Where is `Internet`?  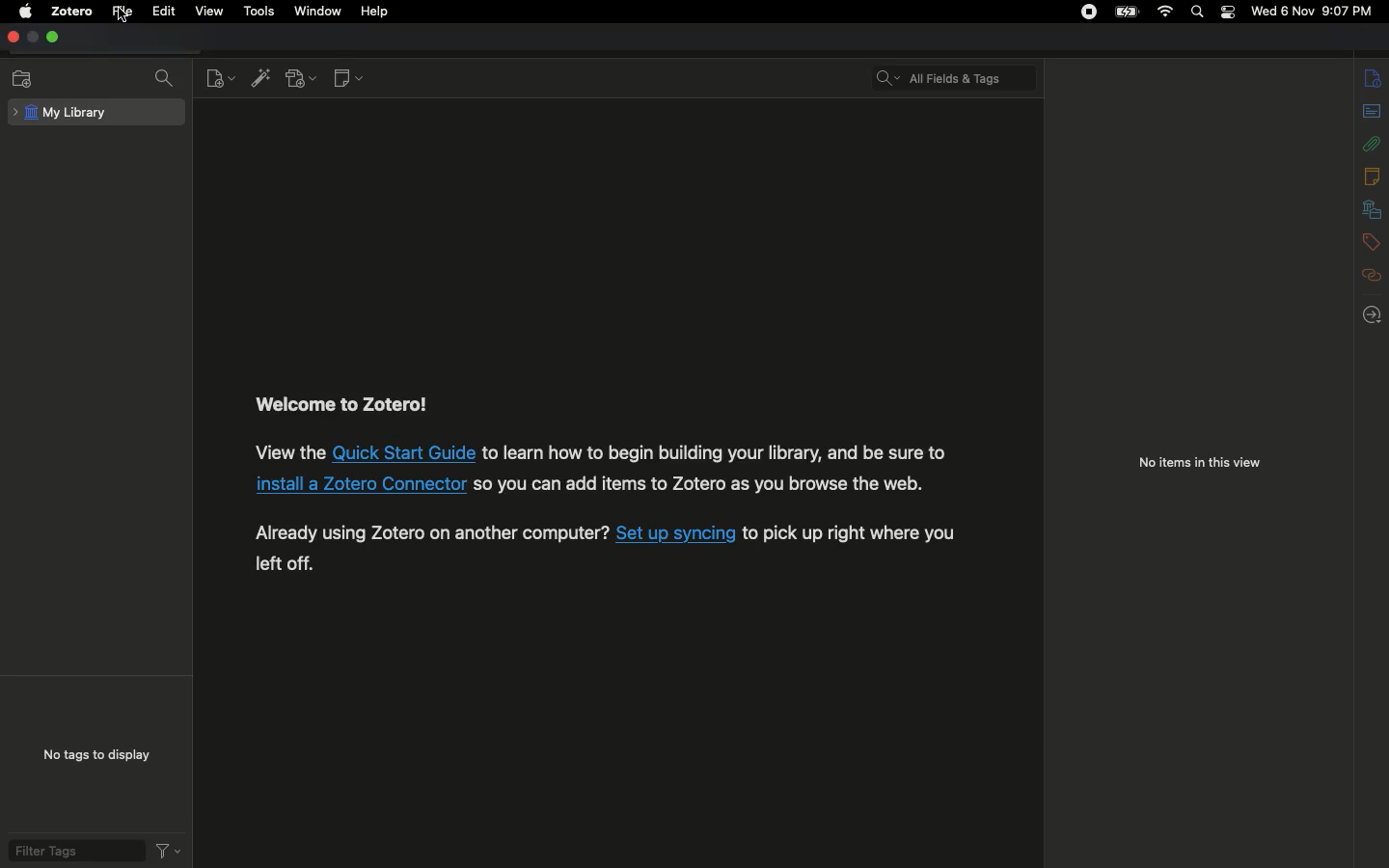
Internet is located at coordinates (1163, 13).